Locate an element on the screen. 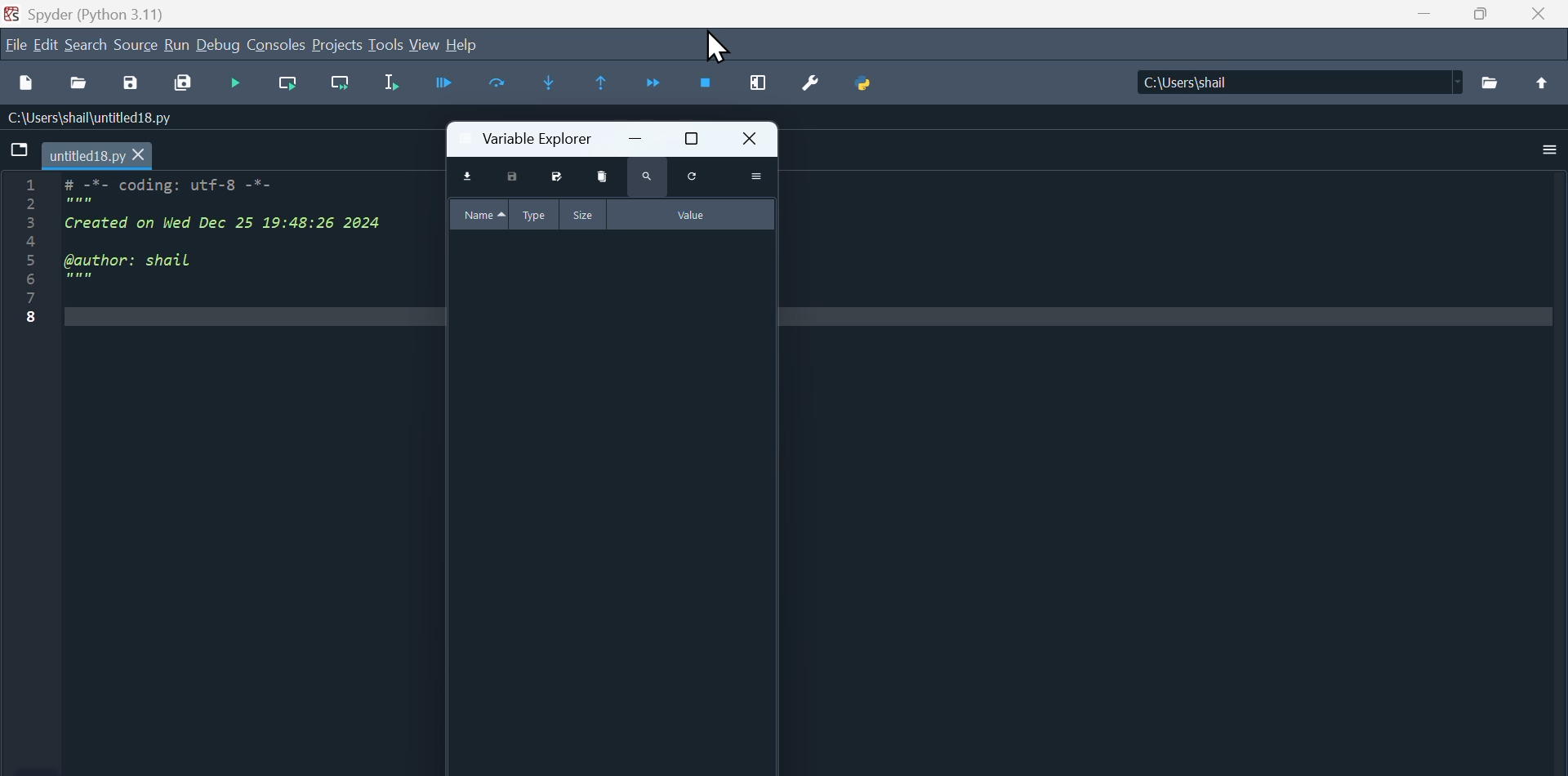 The height and width of the screenshot is (776, 1568). maximize is located at coordinates (691, 138).